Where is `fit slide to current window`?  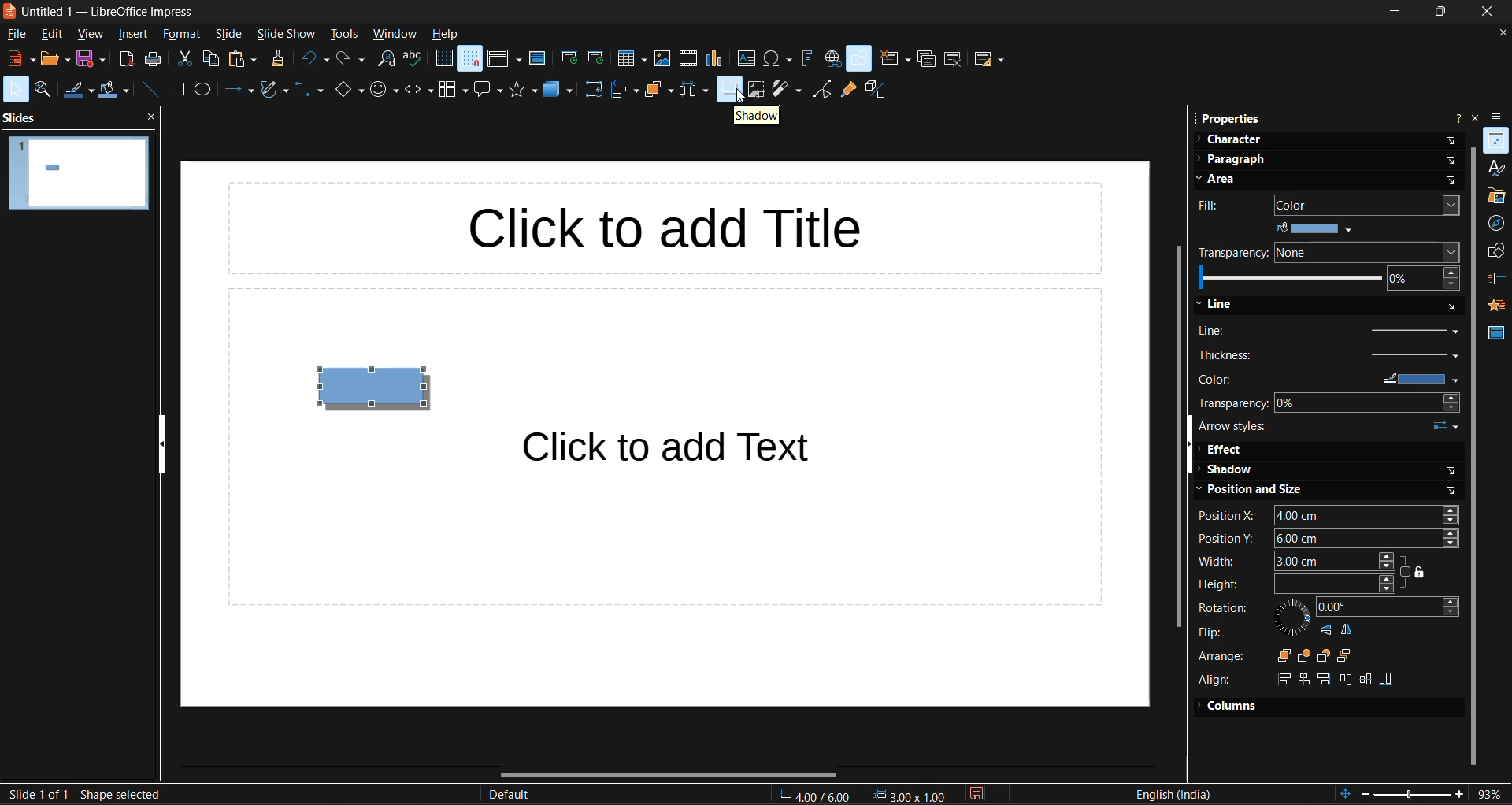
fit slide to current window is located at coordinates (1344, 792).